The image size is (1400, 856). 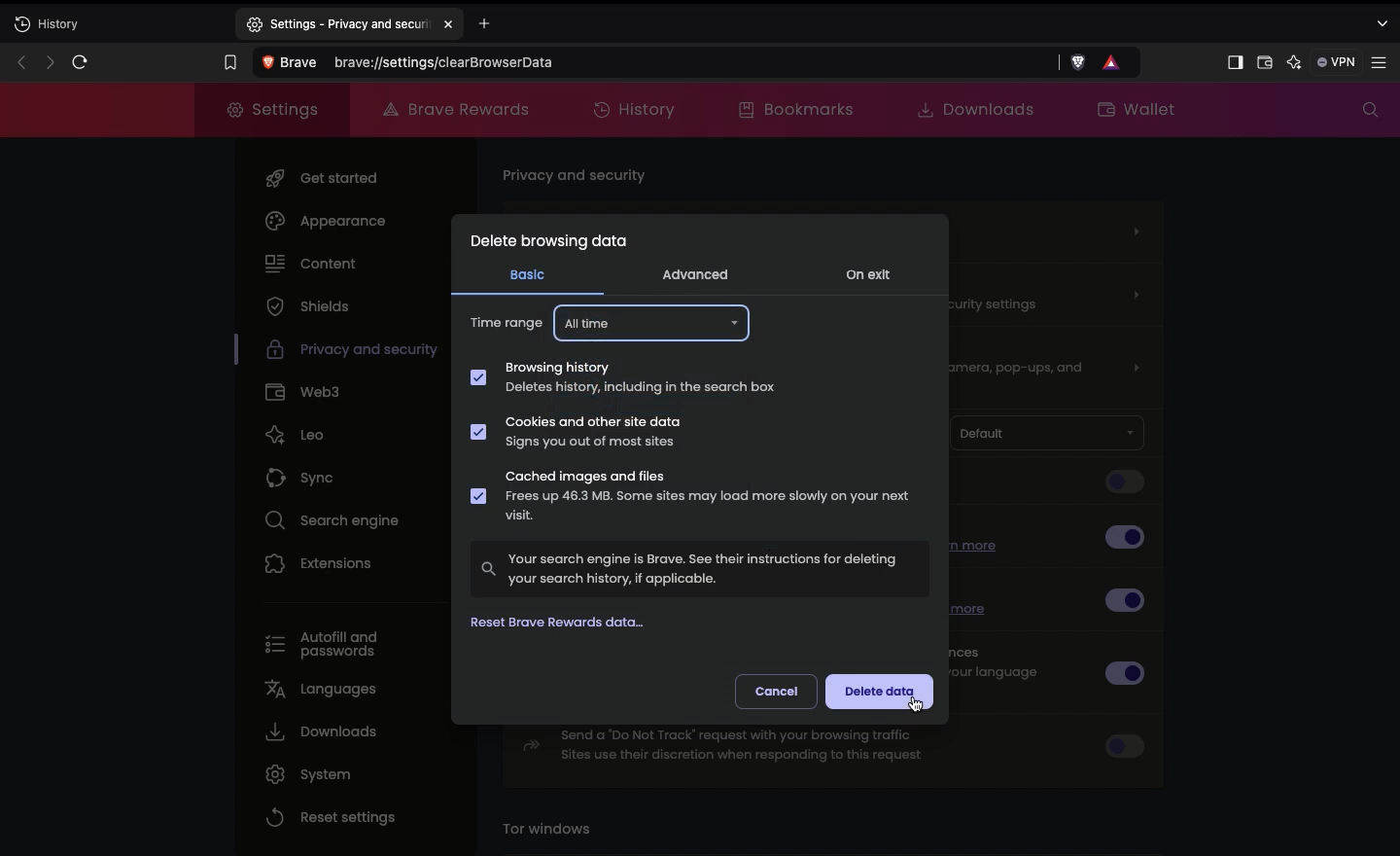 I want to click on System, so click(x=308, y=774).